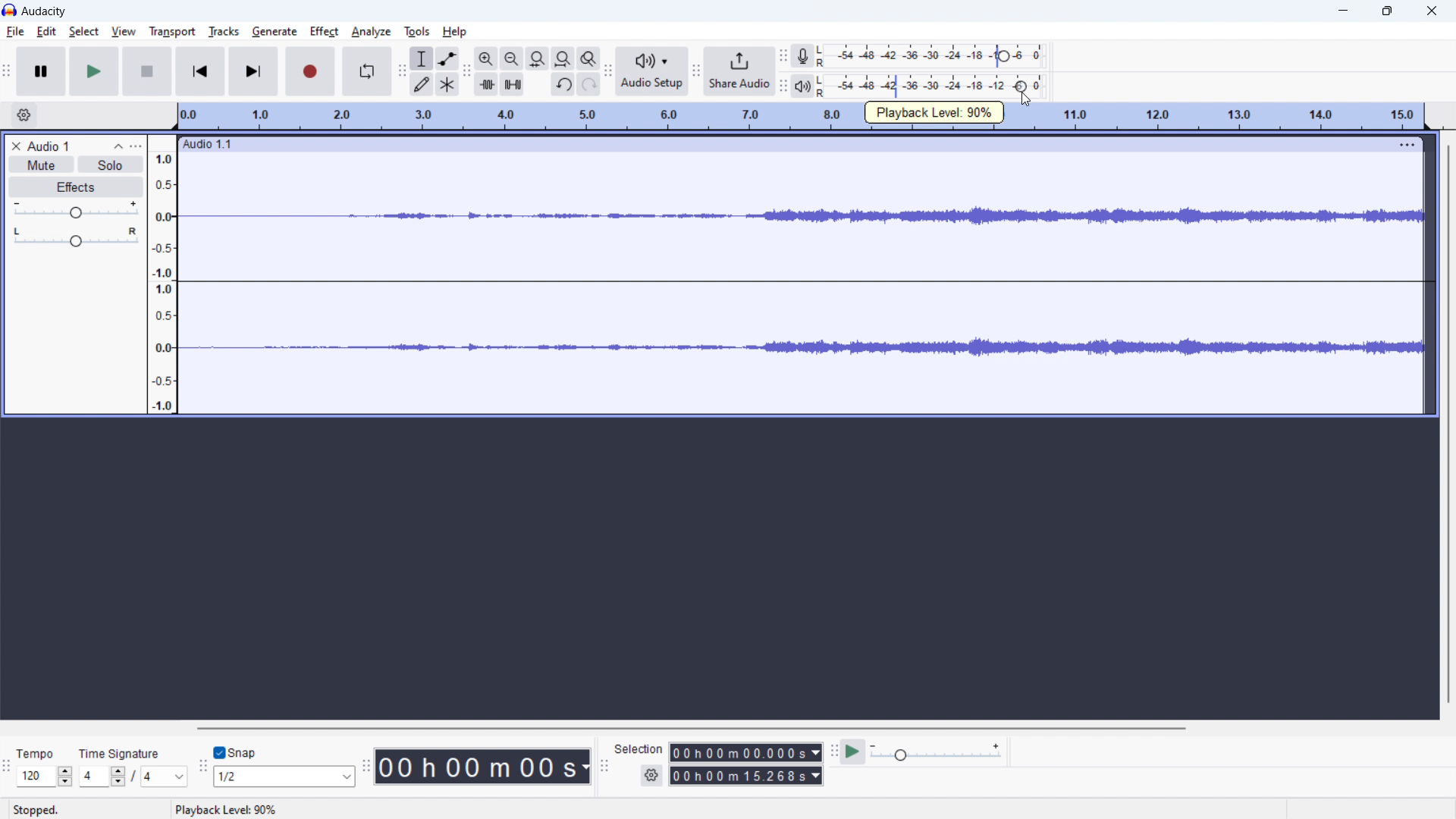 The image size is (1456, 819). I want to click on stop, so click(146, 71).